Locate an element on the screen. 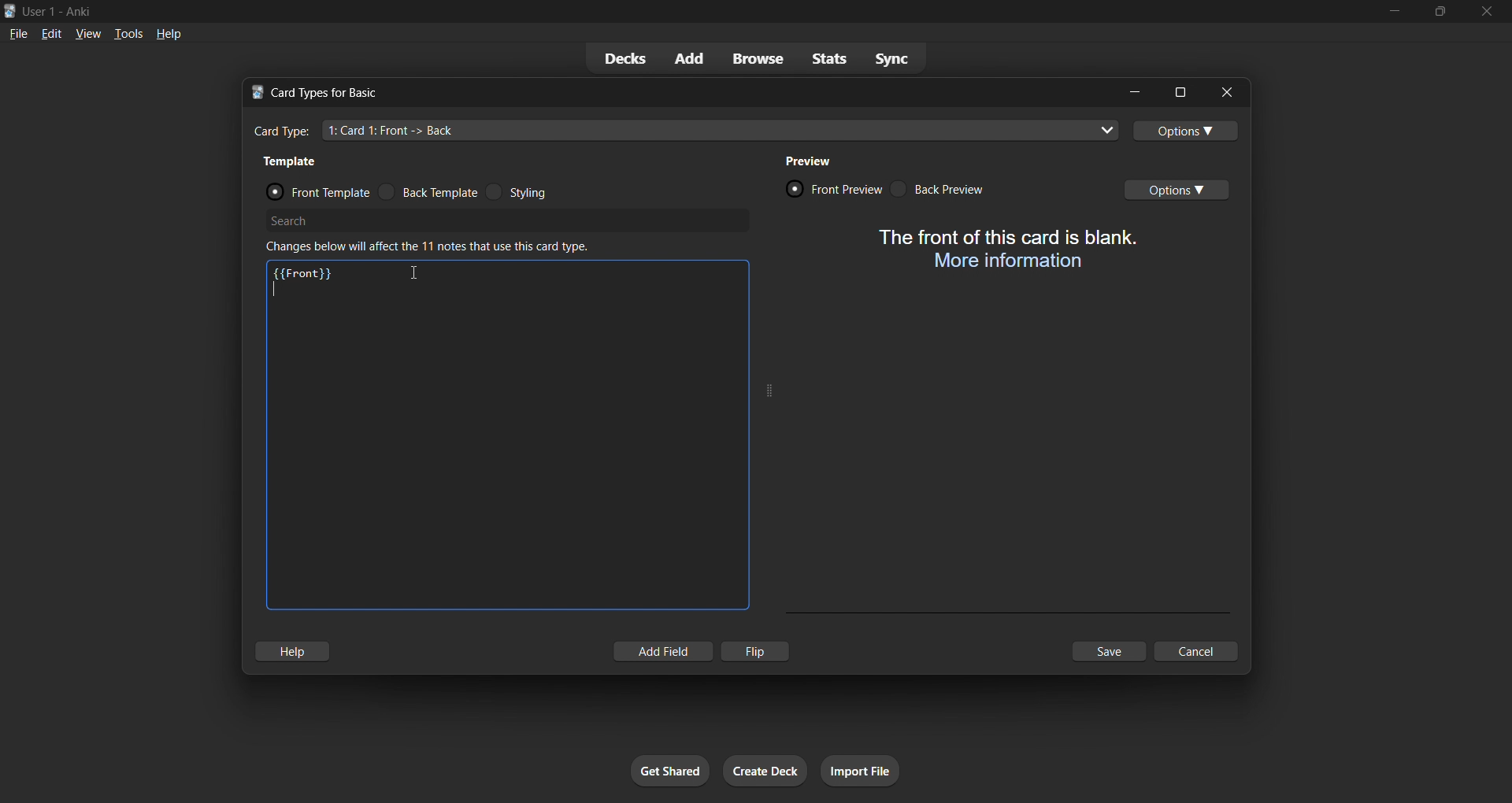 The height and width of the screenshot is (803, 1512). title bar is located at coordinates (672, 93).